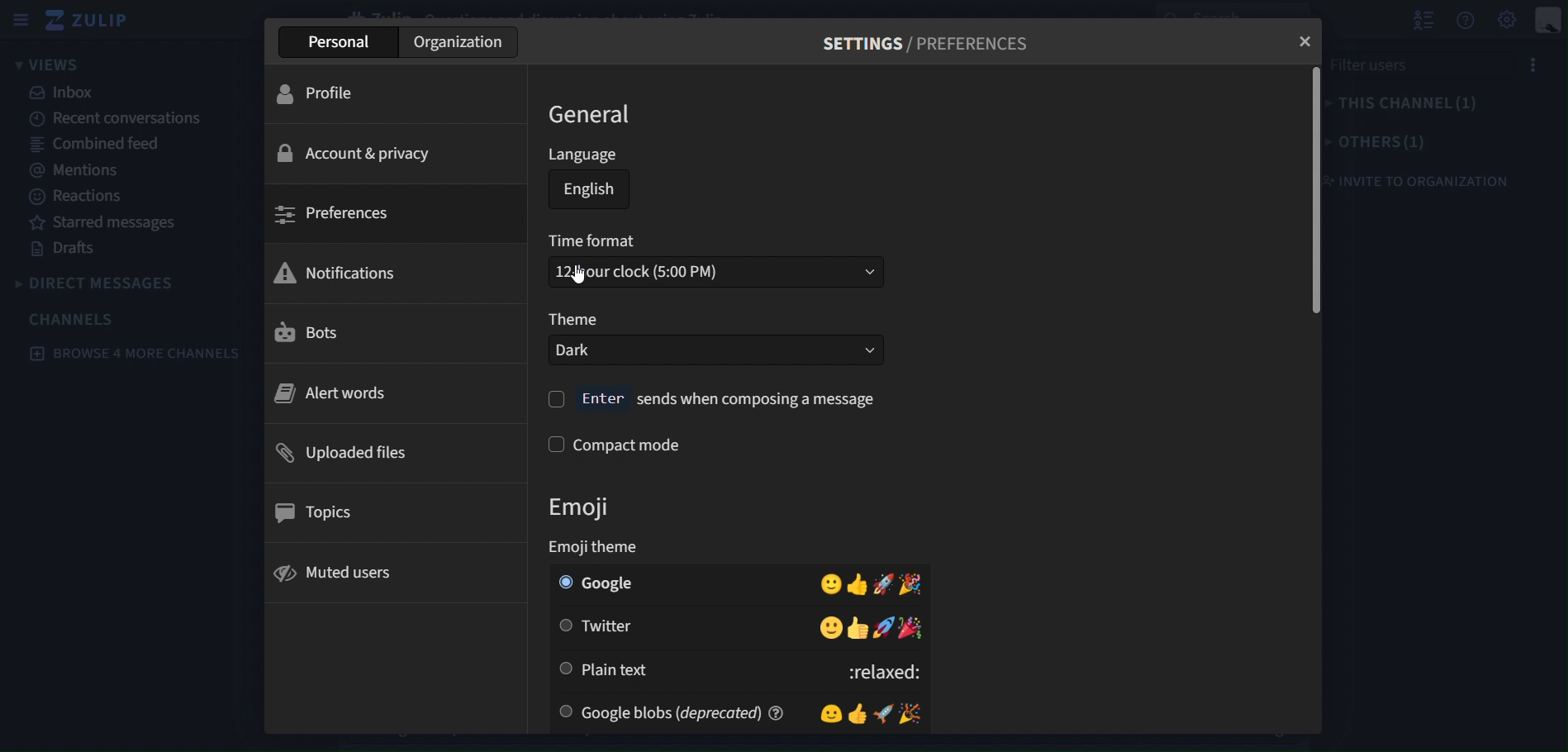 The image size is (1568, 752). What do you see at coordinates (840, 672) in the screenshot?
I see `:relaxed` at bounding box center [840, 672].